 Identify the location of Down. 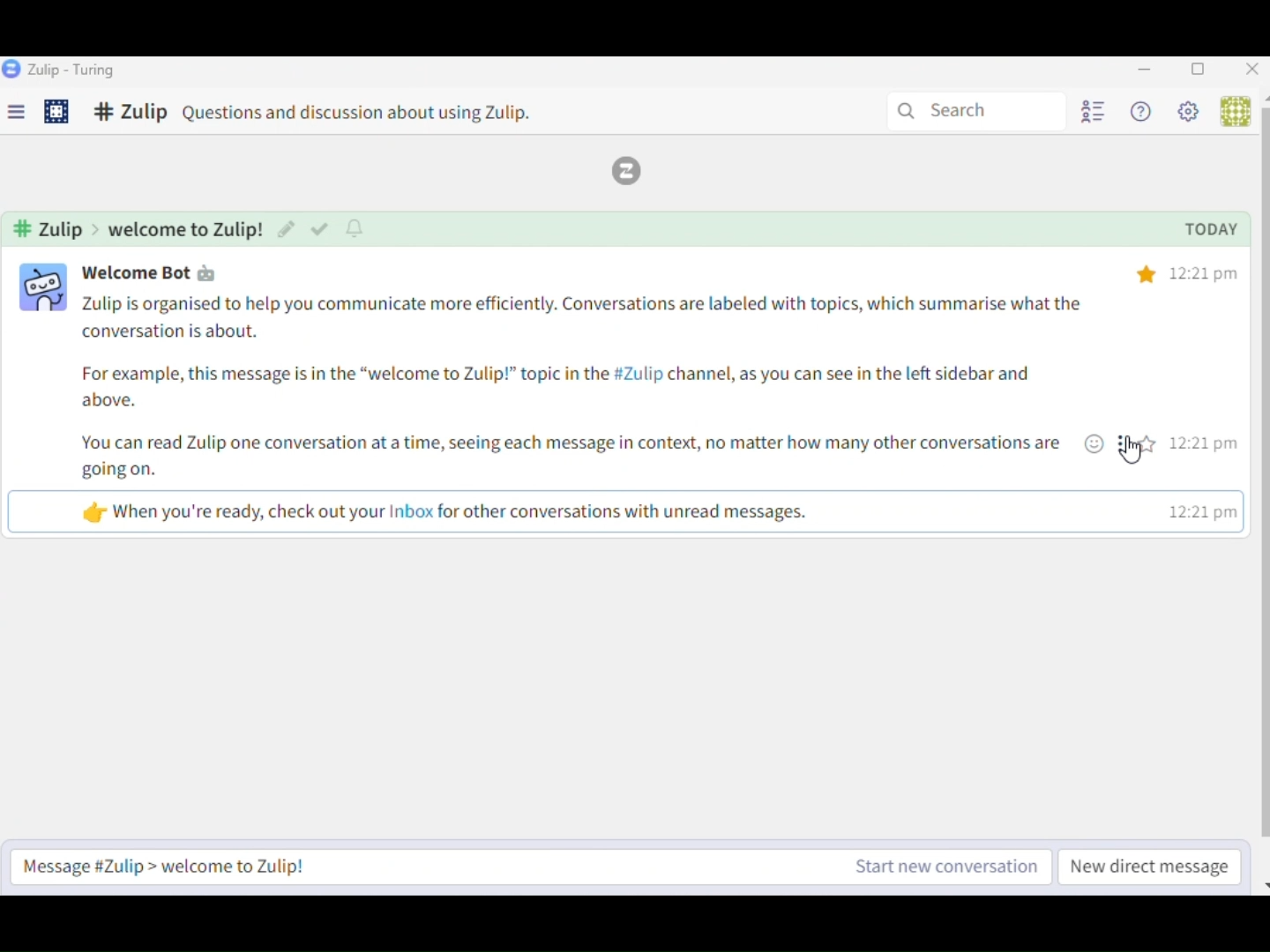
(1262, 879).